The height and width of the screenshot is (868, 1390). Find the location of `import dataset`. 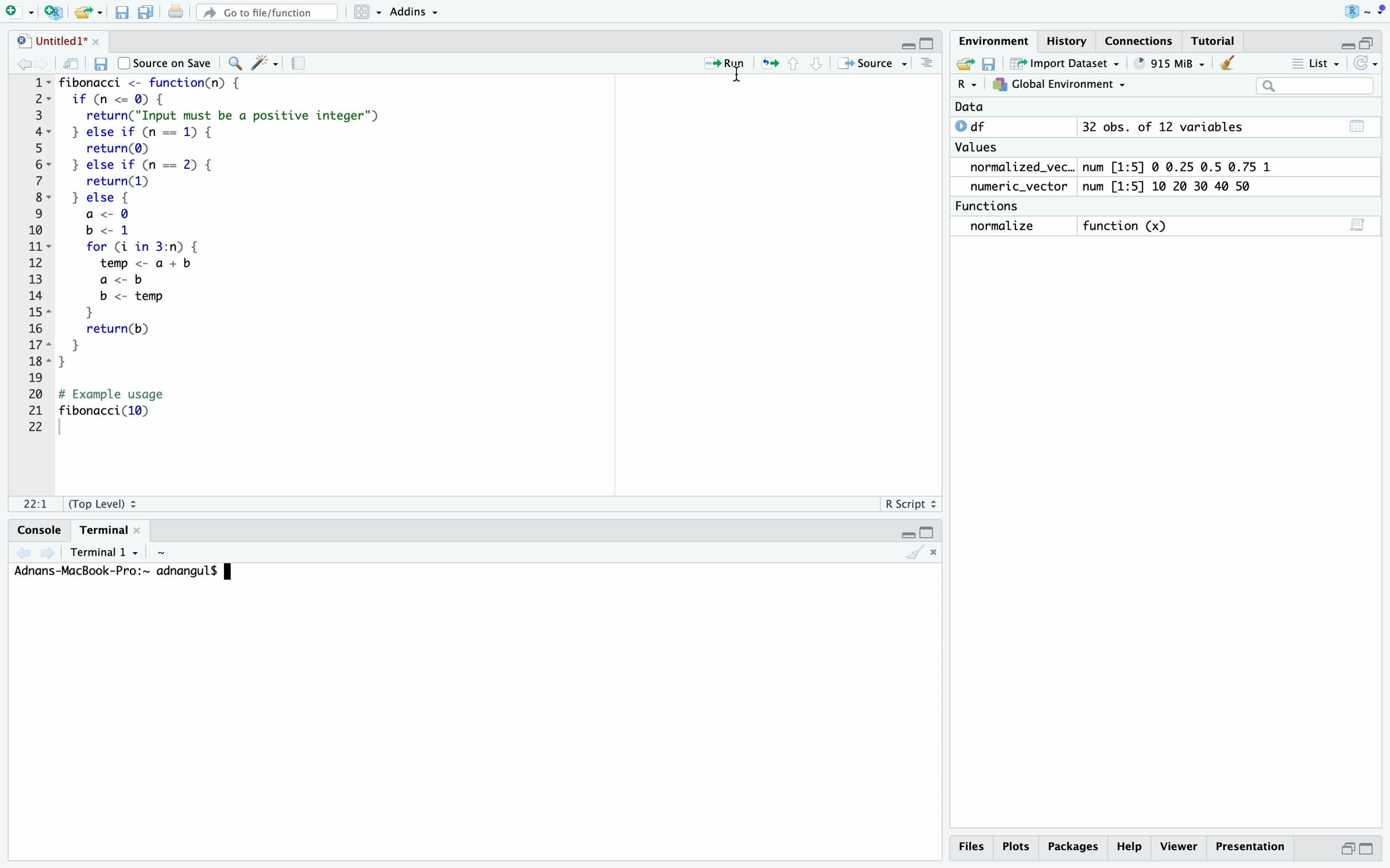

import dataset is located at coordinates (1072, 64).